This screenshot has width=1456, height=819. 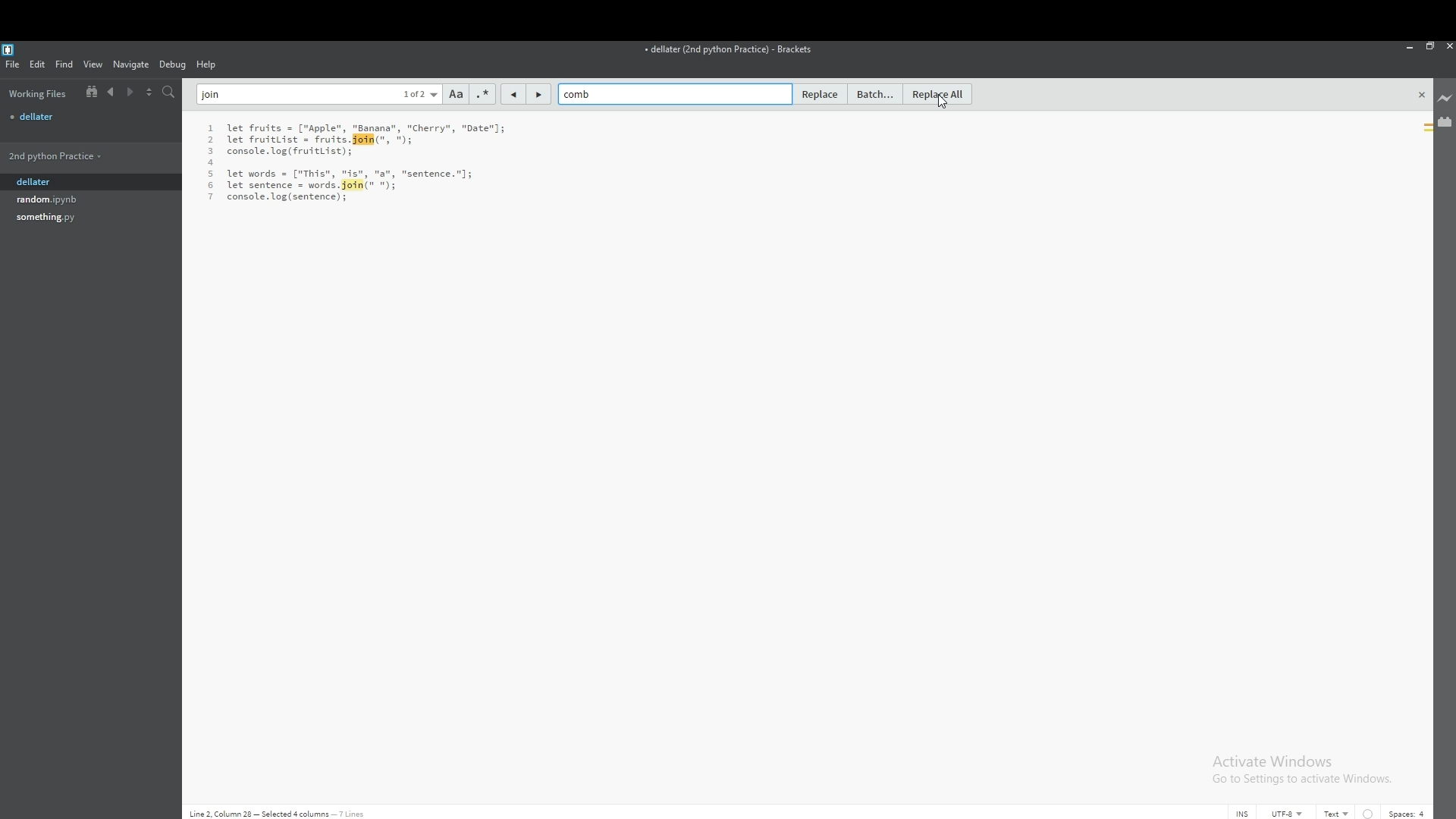 I want to click on next match, so click(x=537, y=94).